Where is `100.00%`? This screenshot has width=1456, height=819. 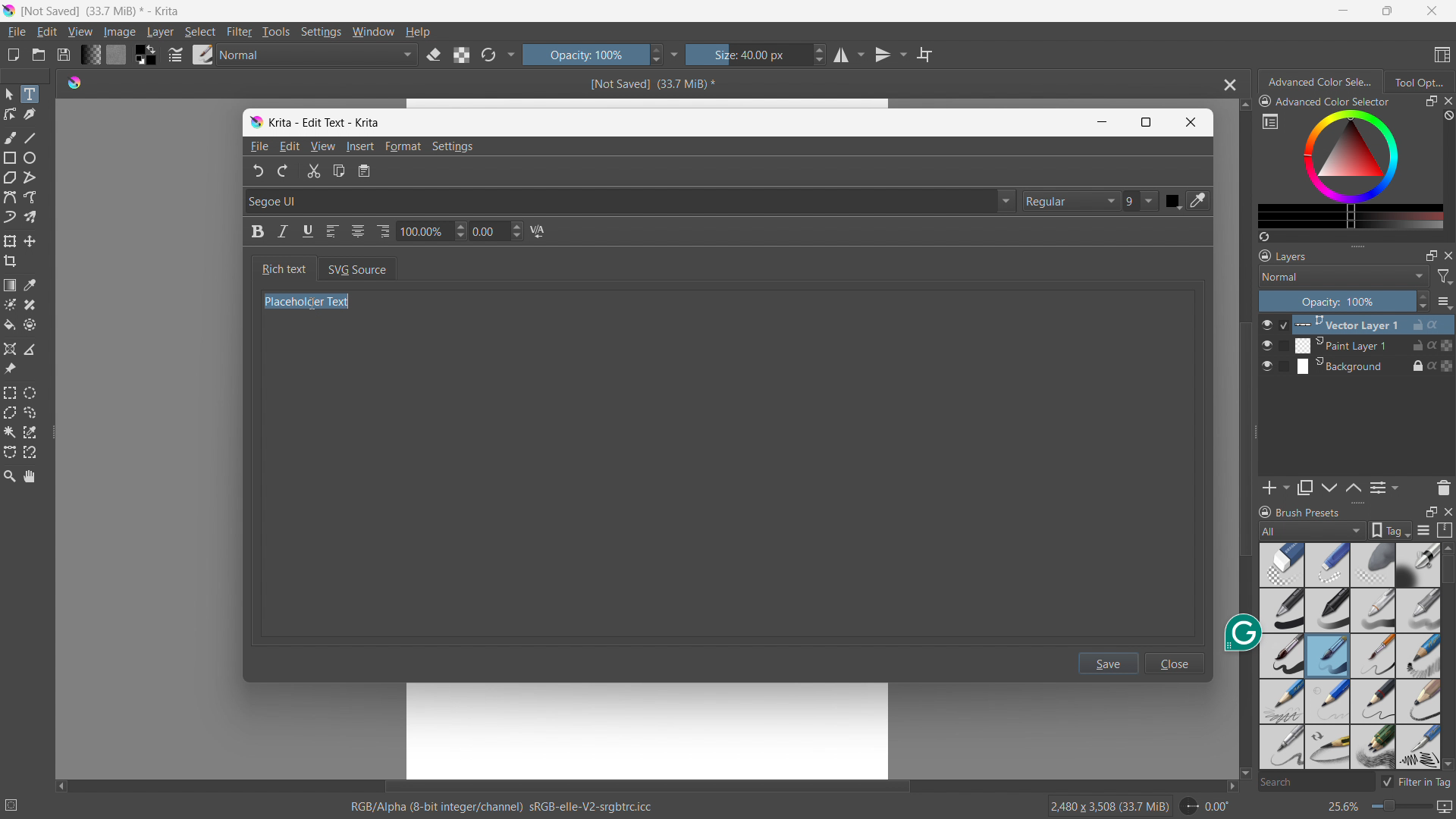 100.00% is located at coordinates (431, 233).